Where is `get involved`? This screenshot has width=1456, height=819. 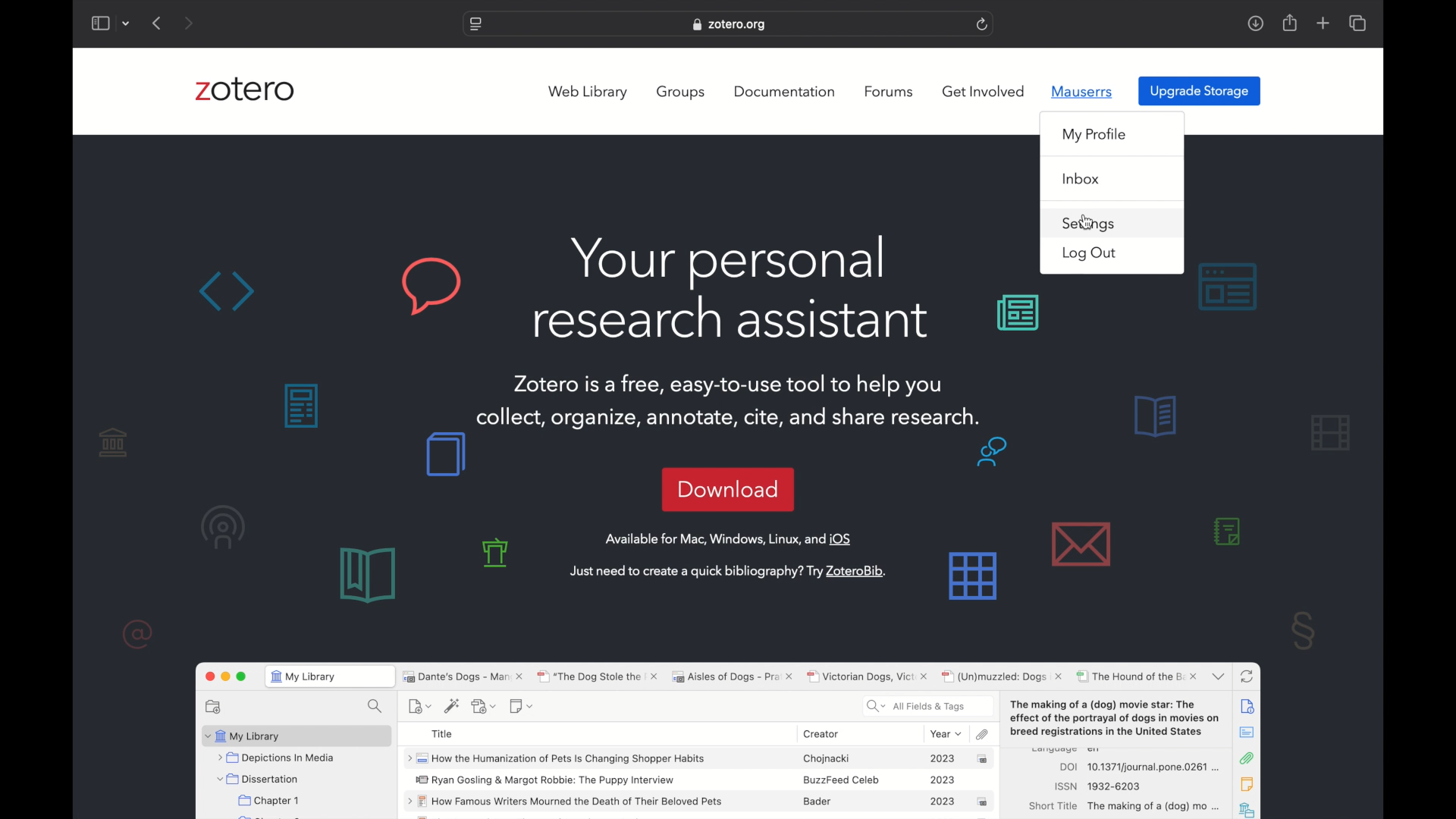 get involved is located at coordinates (984, 90).